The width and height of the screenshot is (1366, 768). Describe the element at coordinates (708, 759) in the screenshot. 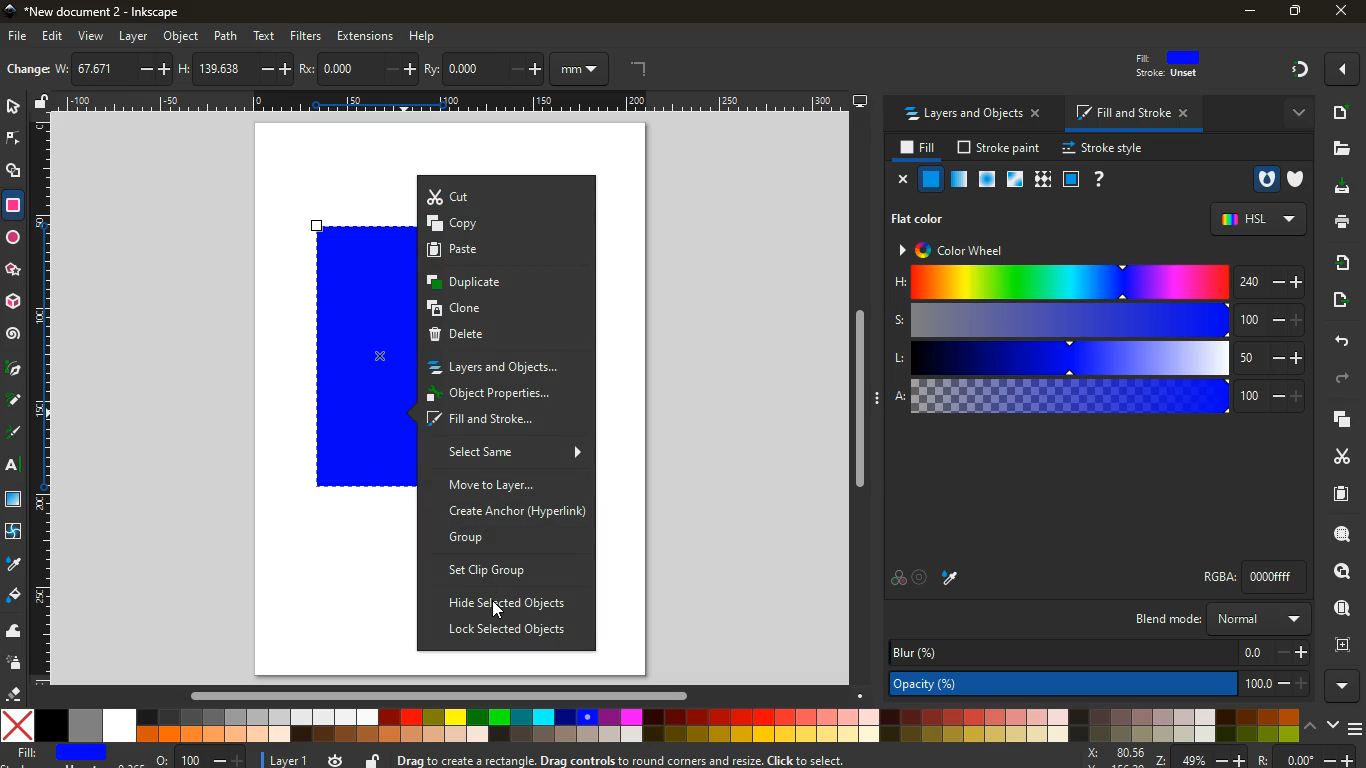

I see `message` at that location.